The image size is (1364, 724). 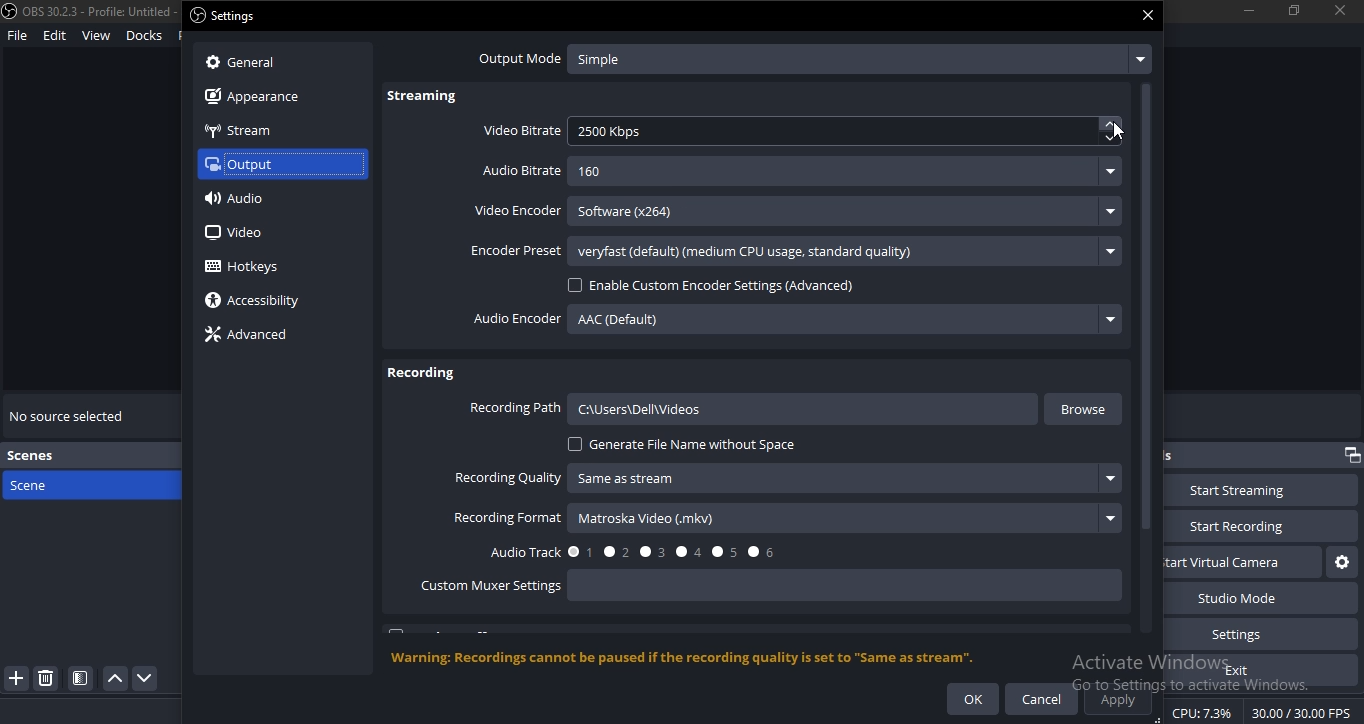 I want to click on generate file name without space, so click(x=685, y=446).